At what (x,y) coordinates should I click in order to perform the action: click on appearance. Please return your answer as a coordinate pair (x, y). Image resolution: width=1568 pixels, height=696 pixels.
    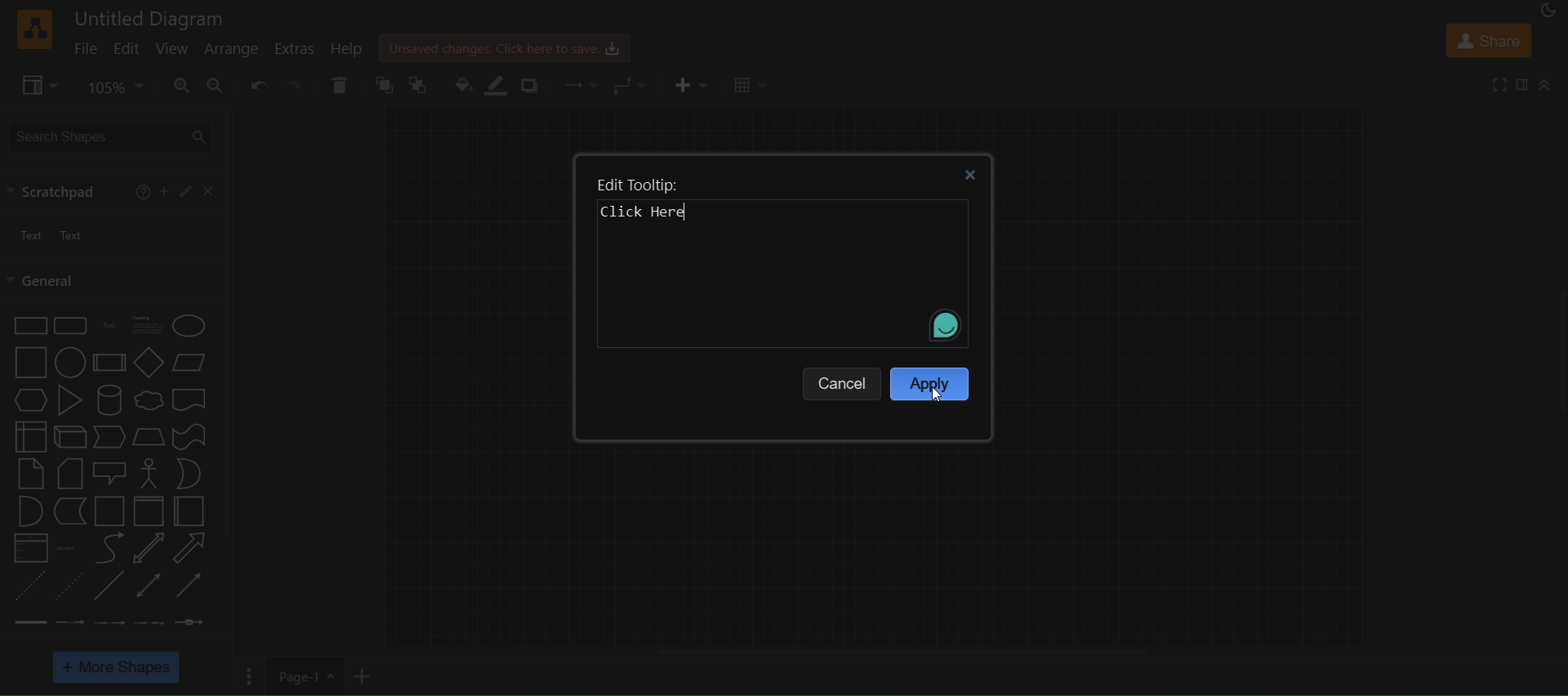
    Looking at the image, I should click on (1547, 11).